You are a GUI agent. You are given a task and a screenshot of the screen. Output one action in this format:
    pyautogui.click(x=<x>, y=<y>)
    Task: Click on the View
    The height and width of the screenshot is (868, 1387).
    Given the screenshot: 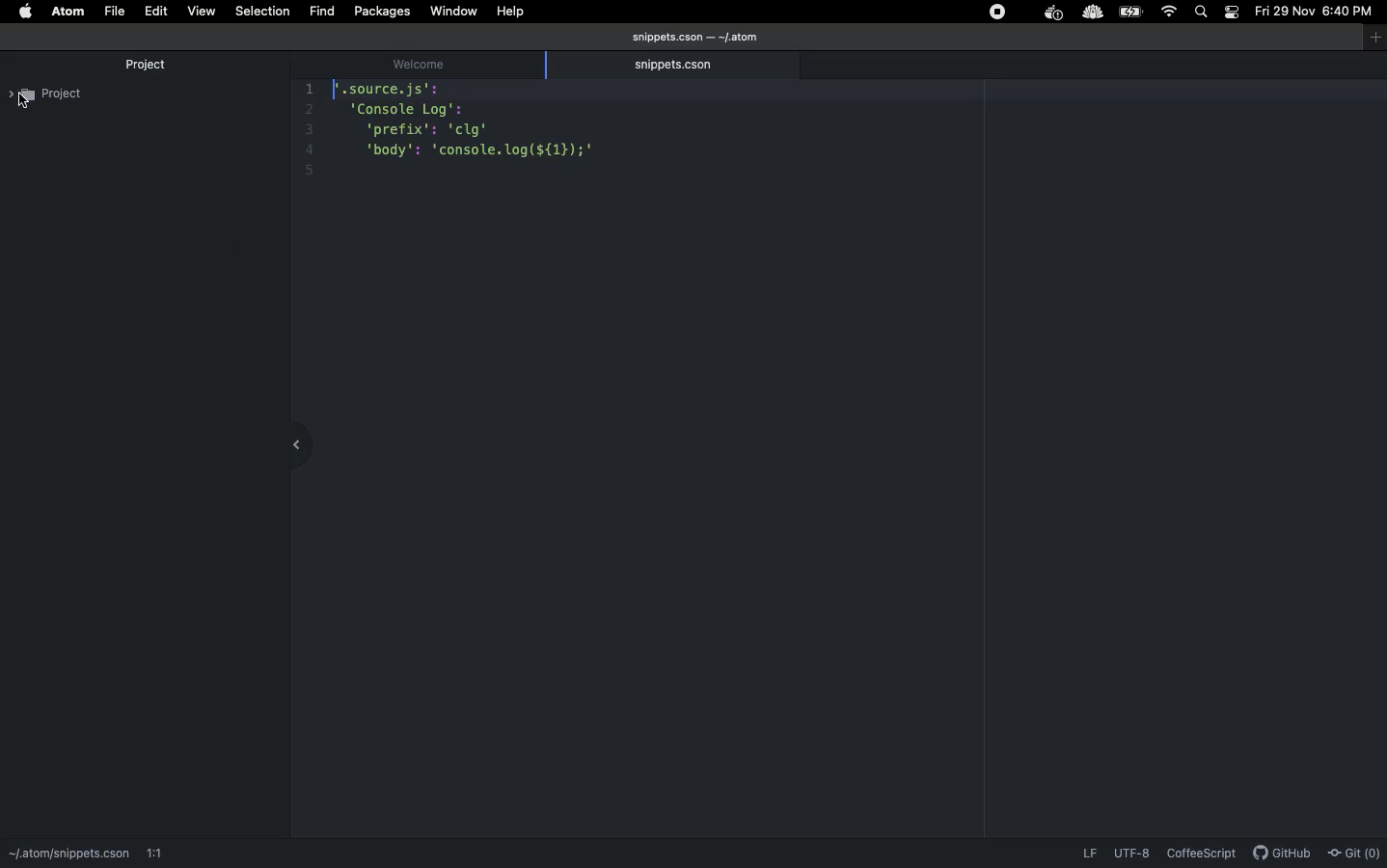 What is the action you would take?
    pyautogui.click(x=202, y=12)
    